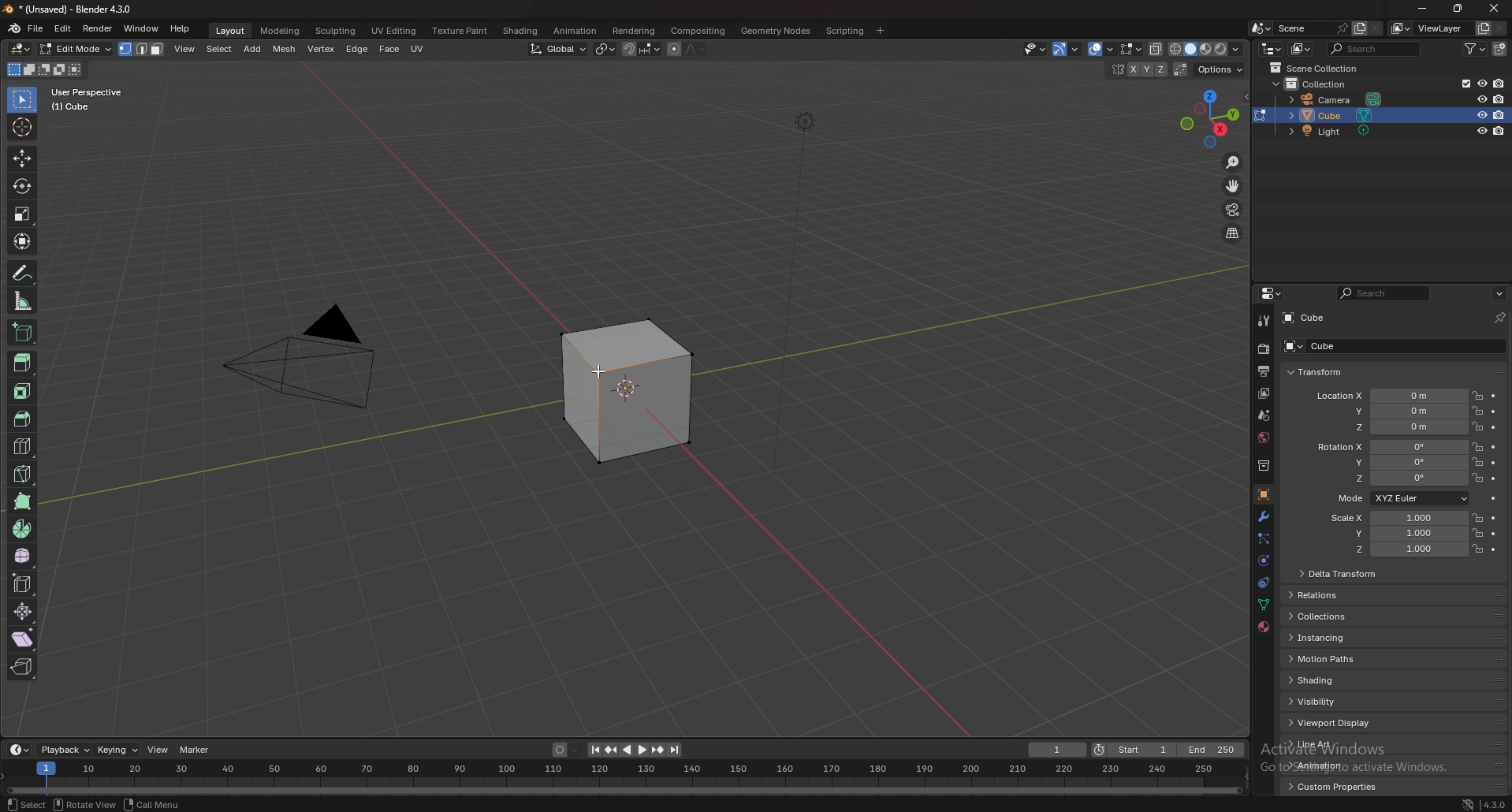 This screenshot has height=812, width=1512. I want to click on network, so click(1468, 803).